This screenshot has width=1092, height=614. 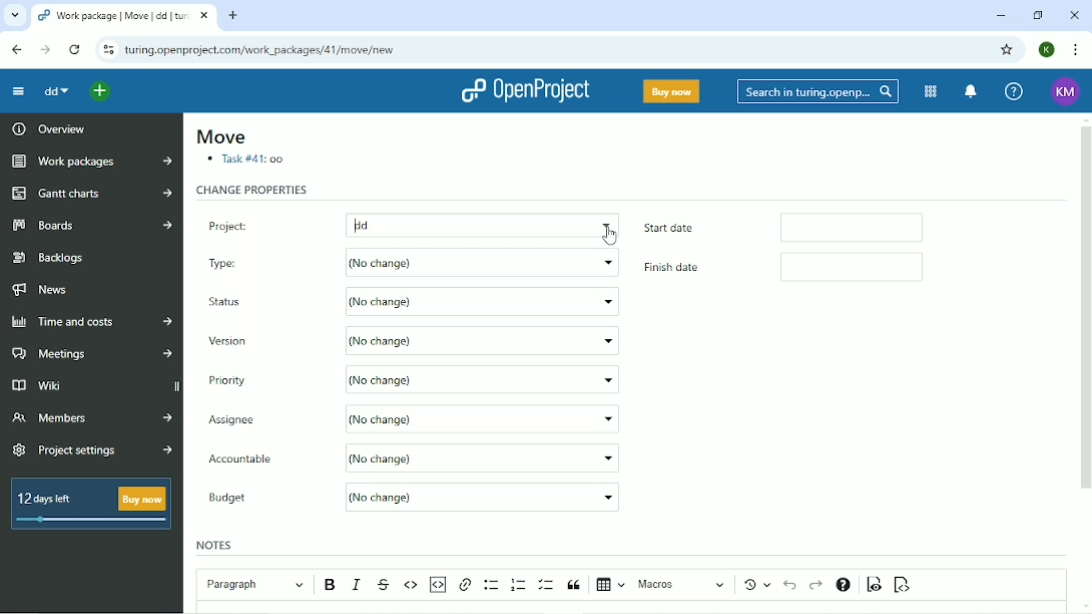 I want to click on Status, so click(x=230, y=303).